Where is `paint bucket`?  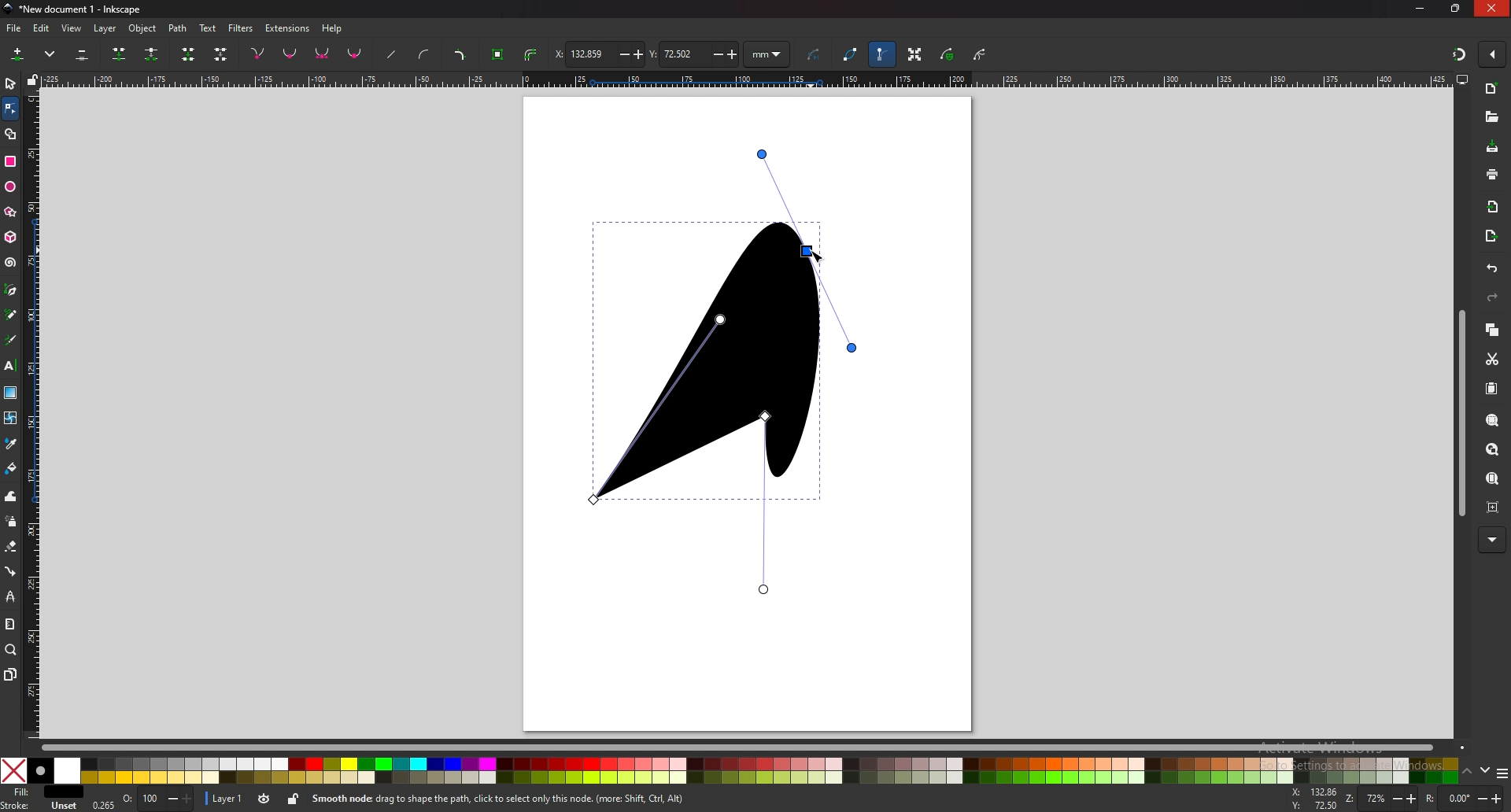 paint bucket is located at coordinates (10, 469).